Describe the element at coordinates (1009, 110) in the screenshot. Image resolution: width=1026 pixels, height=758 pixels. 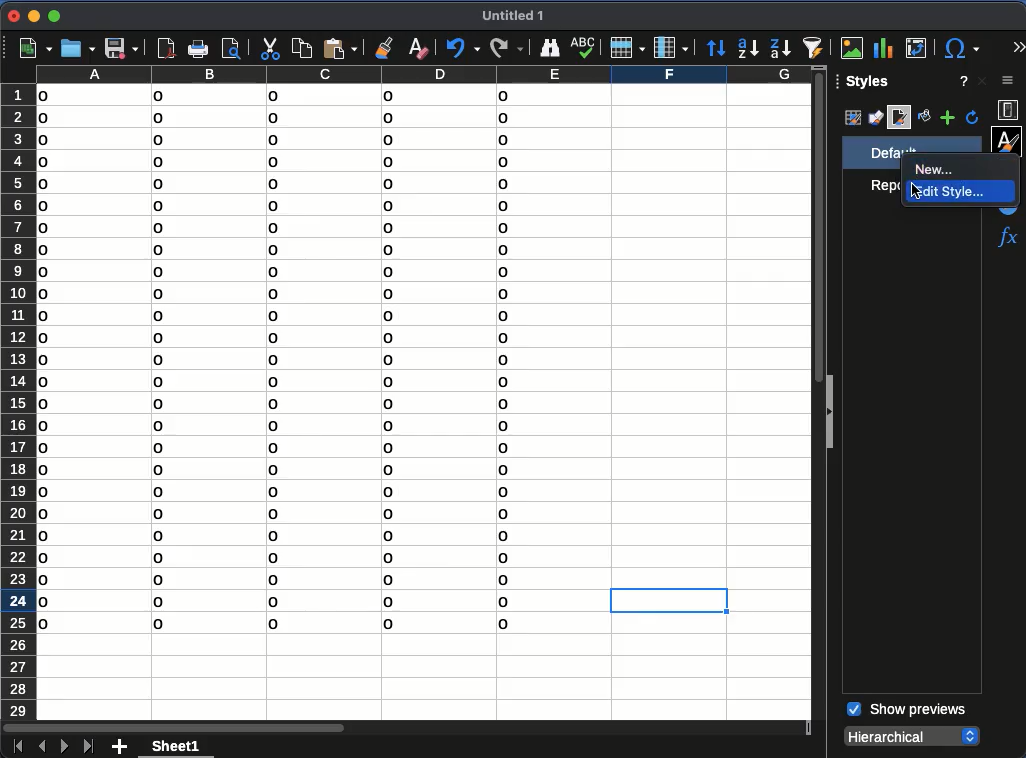
I see `properties` at that location.